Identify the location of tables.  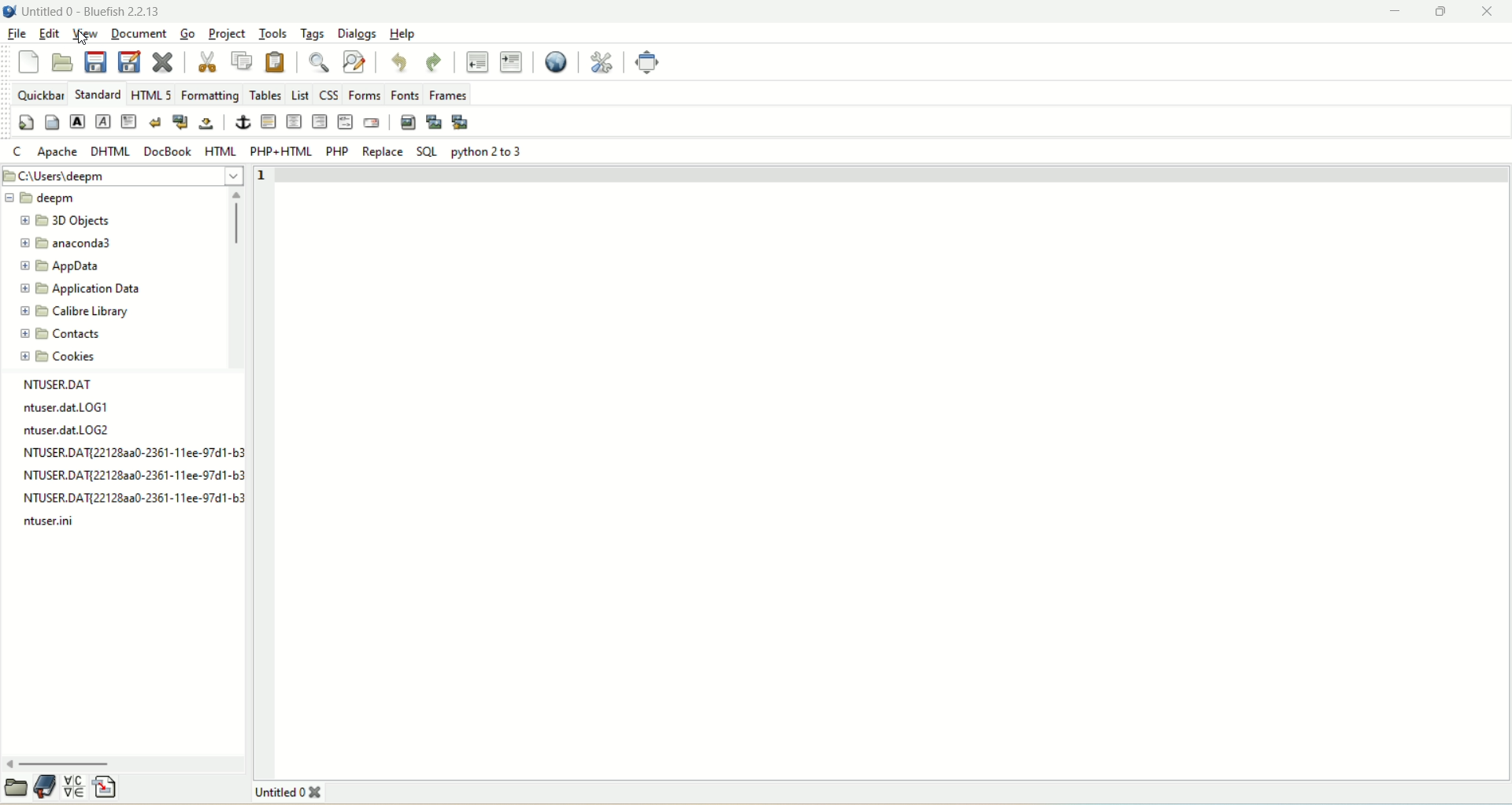
(266, 93).